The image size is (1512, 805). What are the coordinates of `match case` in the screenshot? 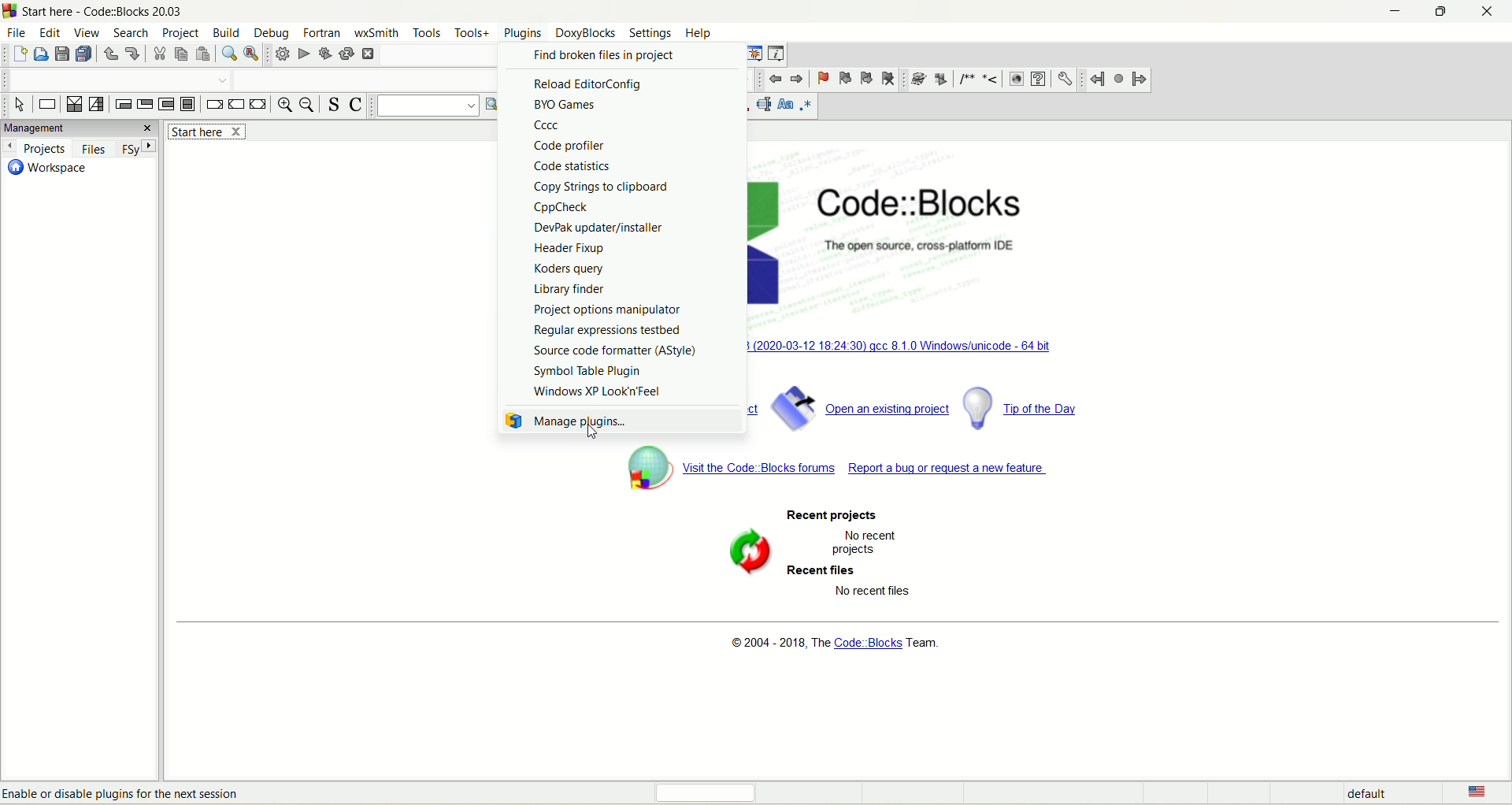 It's located at (785, 105).